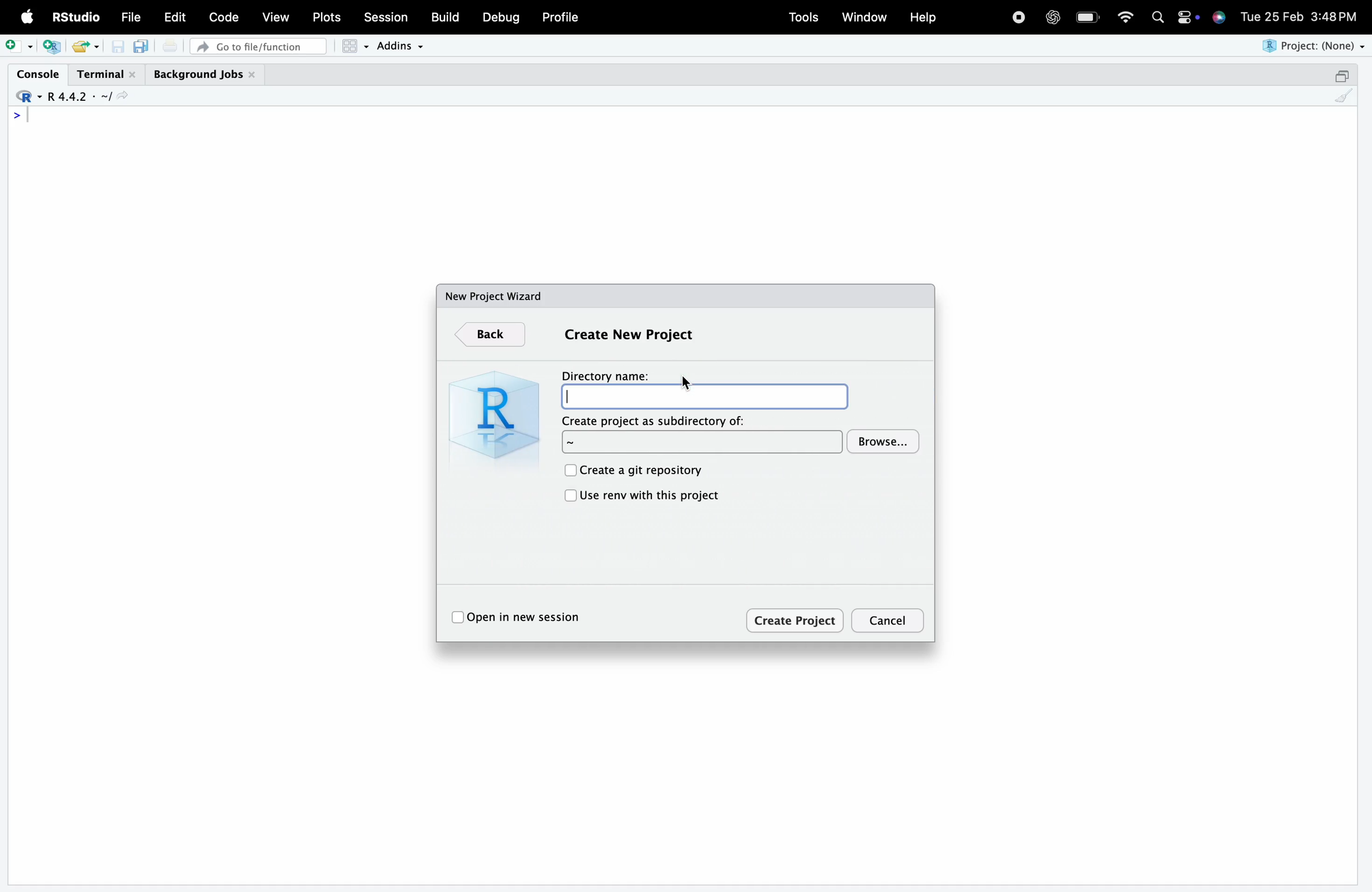 The width and height of the screenshot is (1372, 892). Describe the element at coordinates (457, 618) in the screenshot. I see `checkbox` at that location.